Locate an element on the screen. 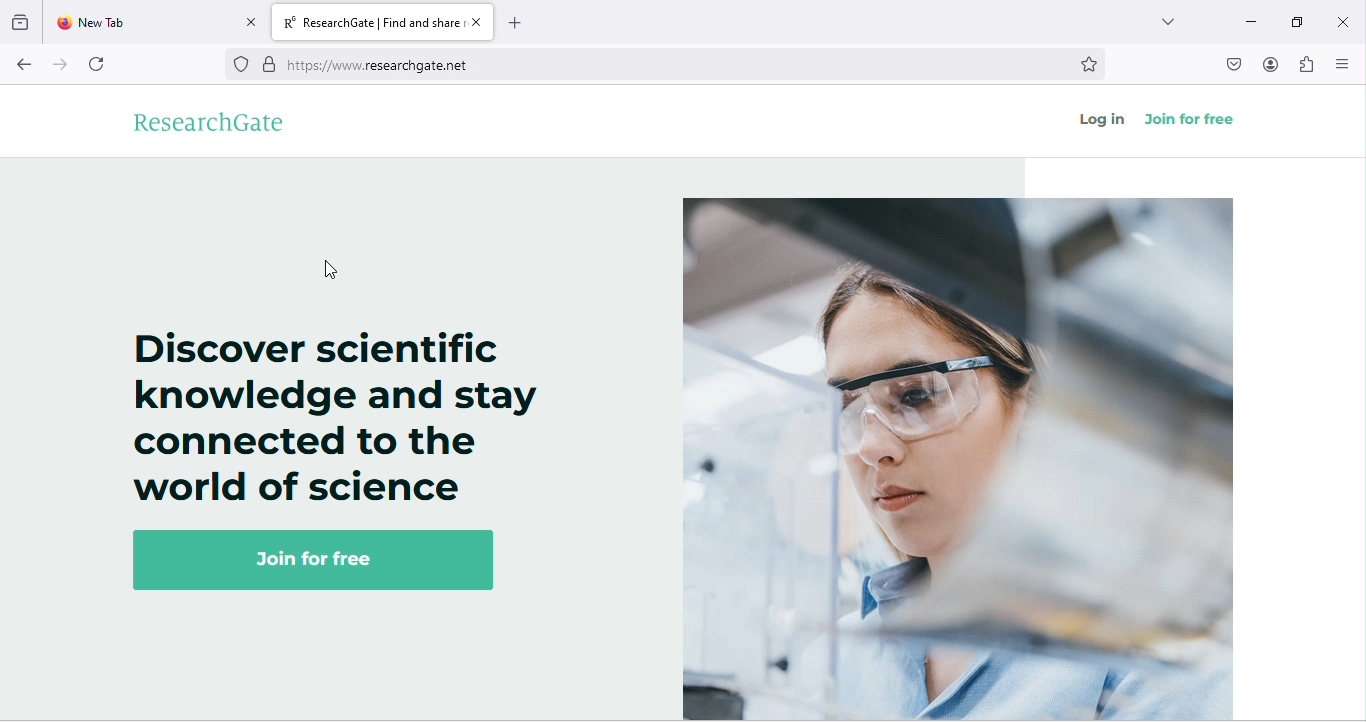 This screenshot has height=722, width=1366. pocket is located at coordinates (1232, 64).